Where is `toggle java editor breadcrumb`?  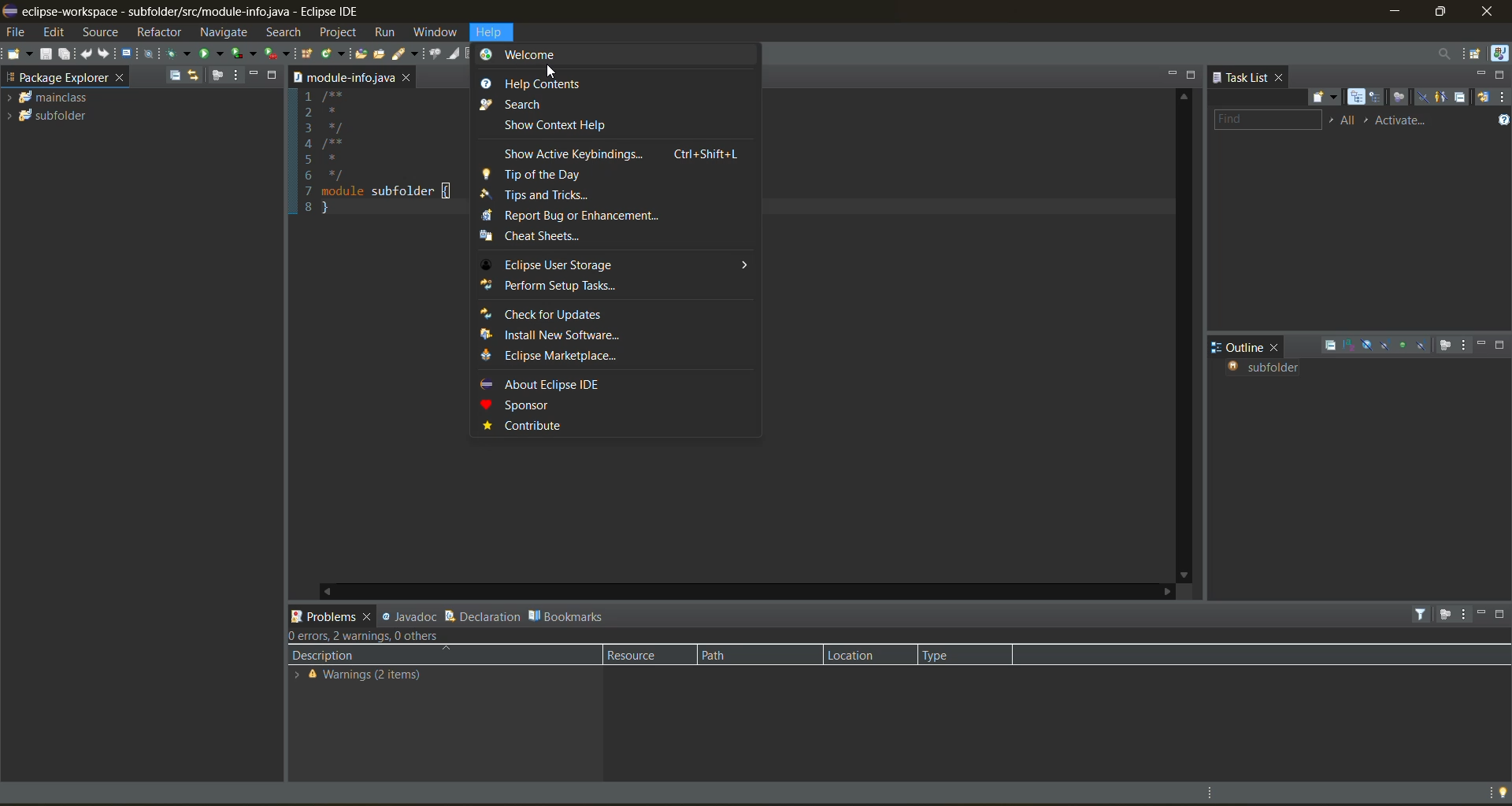
toggle java editor breadcrumb is located at coordinates (435, 54).